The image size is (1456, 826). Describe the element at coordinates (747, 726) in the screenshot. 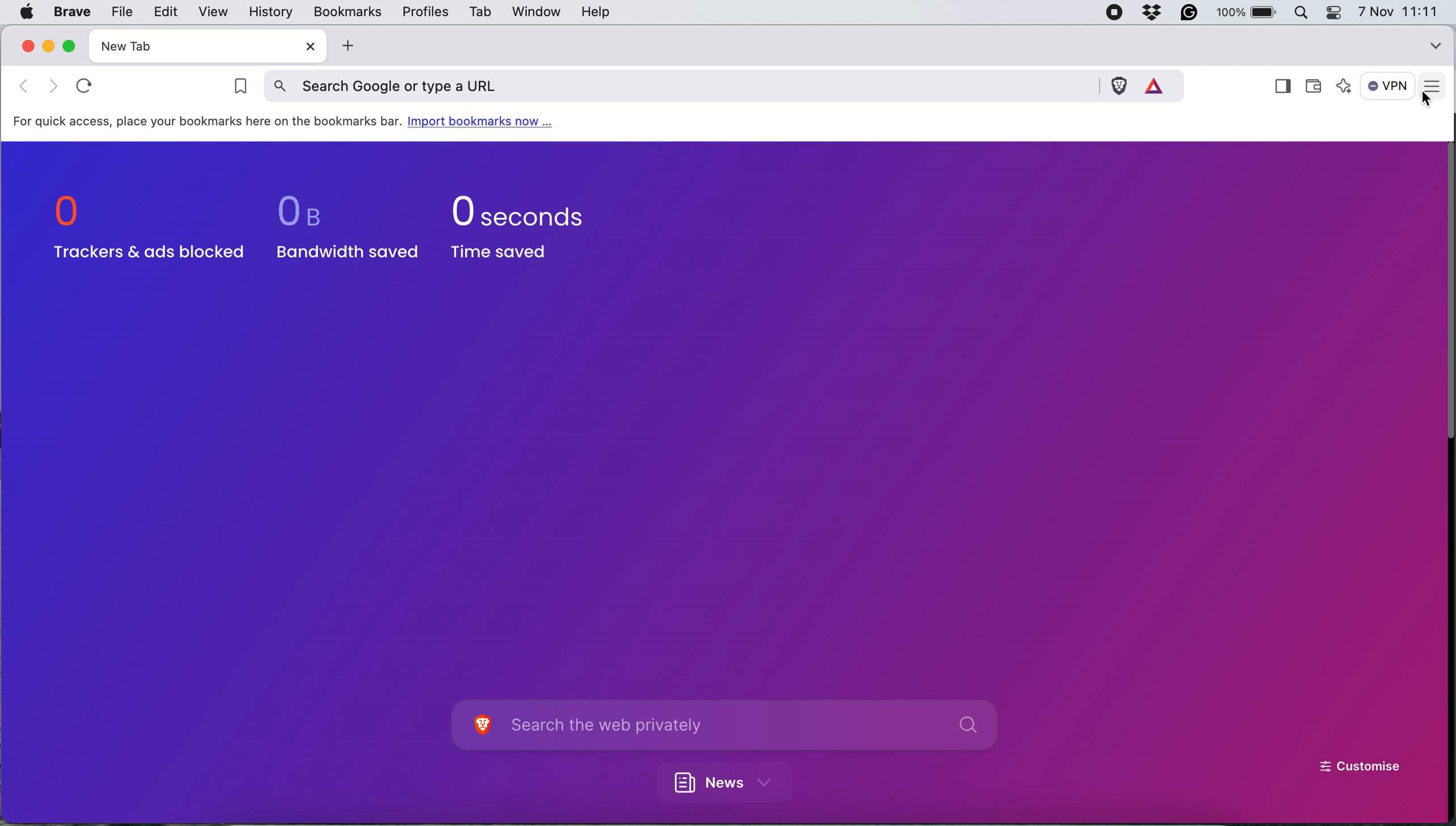

I see `search the web privately` at that location.